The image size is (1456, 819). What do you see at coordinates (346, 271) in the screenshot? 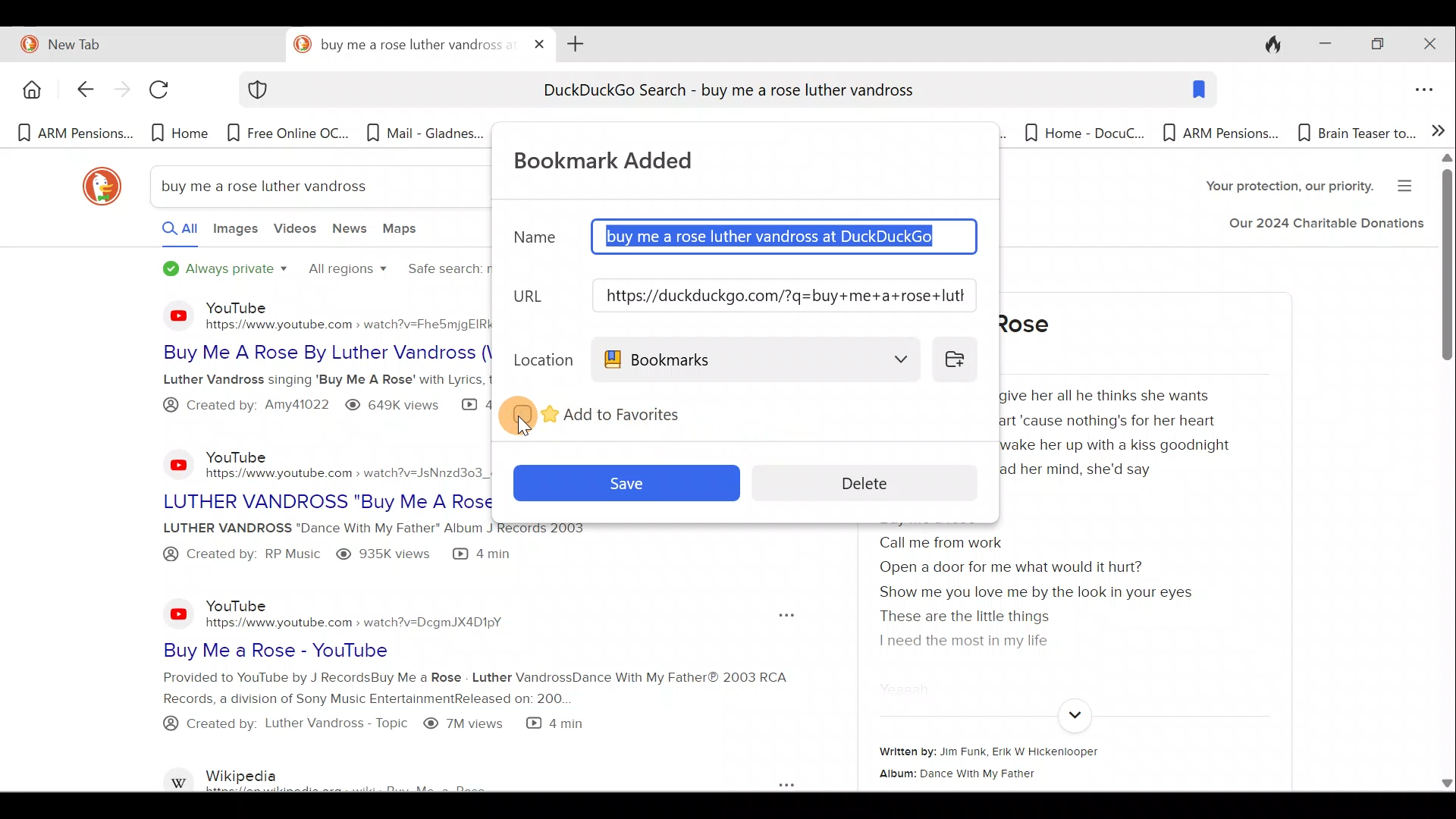
I see `All regions` at bounding box center [346, 271].